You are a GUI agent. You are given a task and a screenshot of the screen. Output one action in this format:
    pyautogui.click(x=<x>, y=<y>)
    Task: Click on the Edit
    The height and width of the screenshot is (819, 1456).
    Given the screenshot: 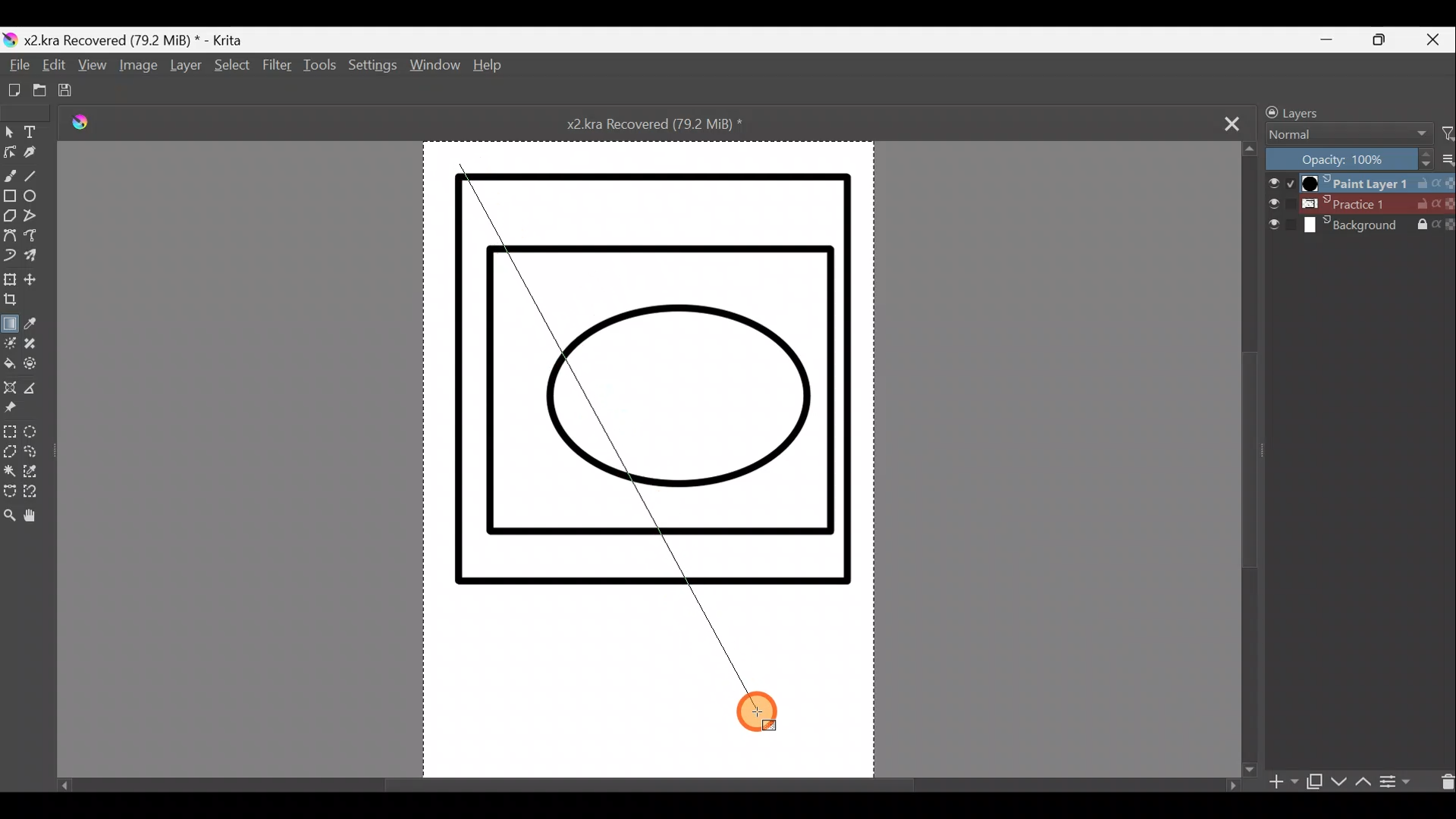 What is the action you would take?
    pyautogui.click(x=52, y=68)
    